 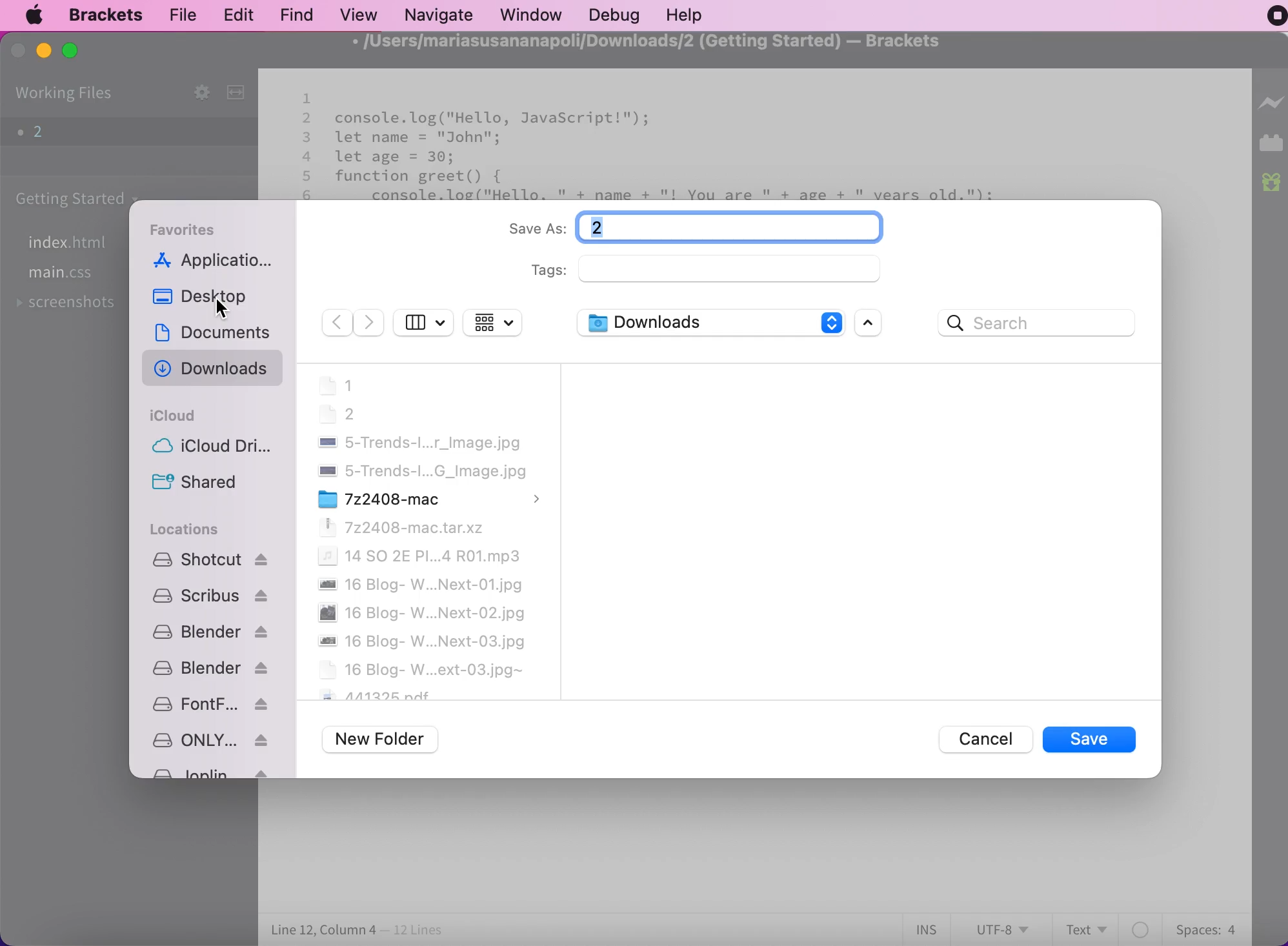 What do you see at coordinates (189, 228) in the screenshot?
I see `favorites` at bounding box center [189, 228].